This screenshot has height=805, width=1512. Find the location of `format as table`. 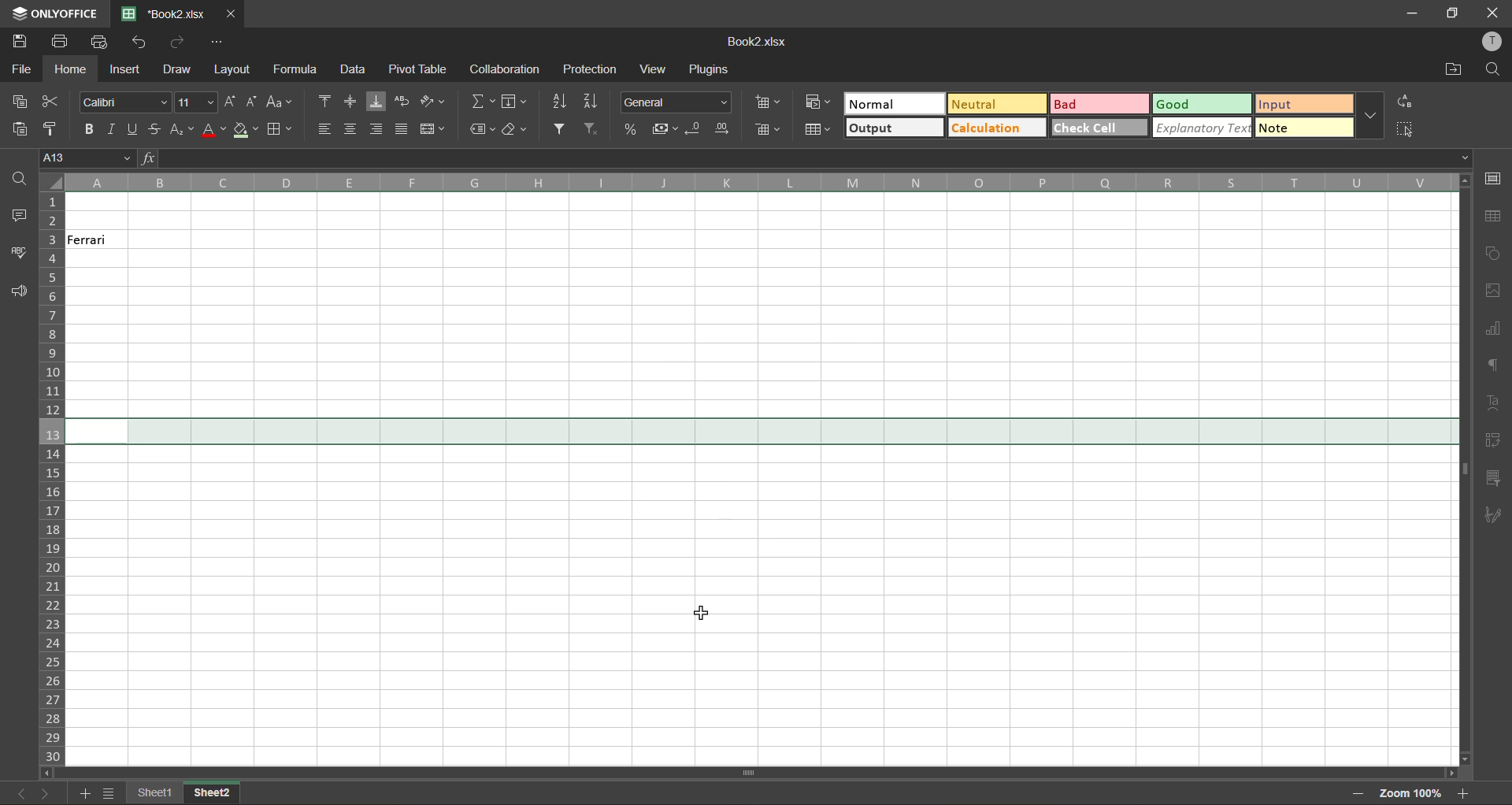

format as table is located at coordinates (819, 129).